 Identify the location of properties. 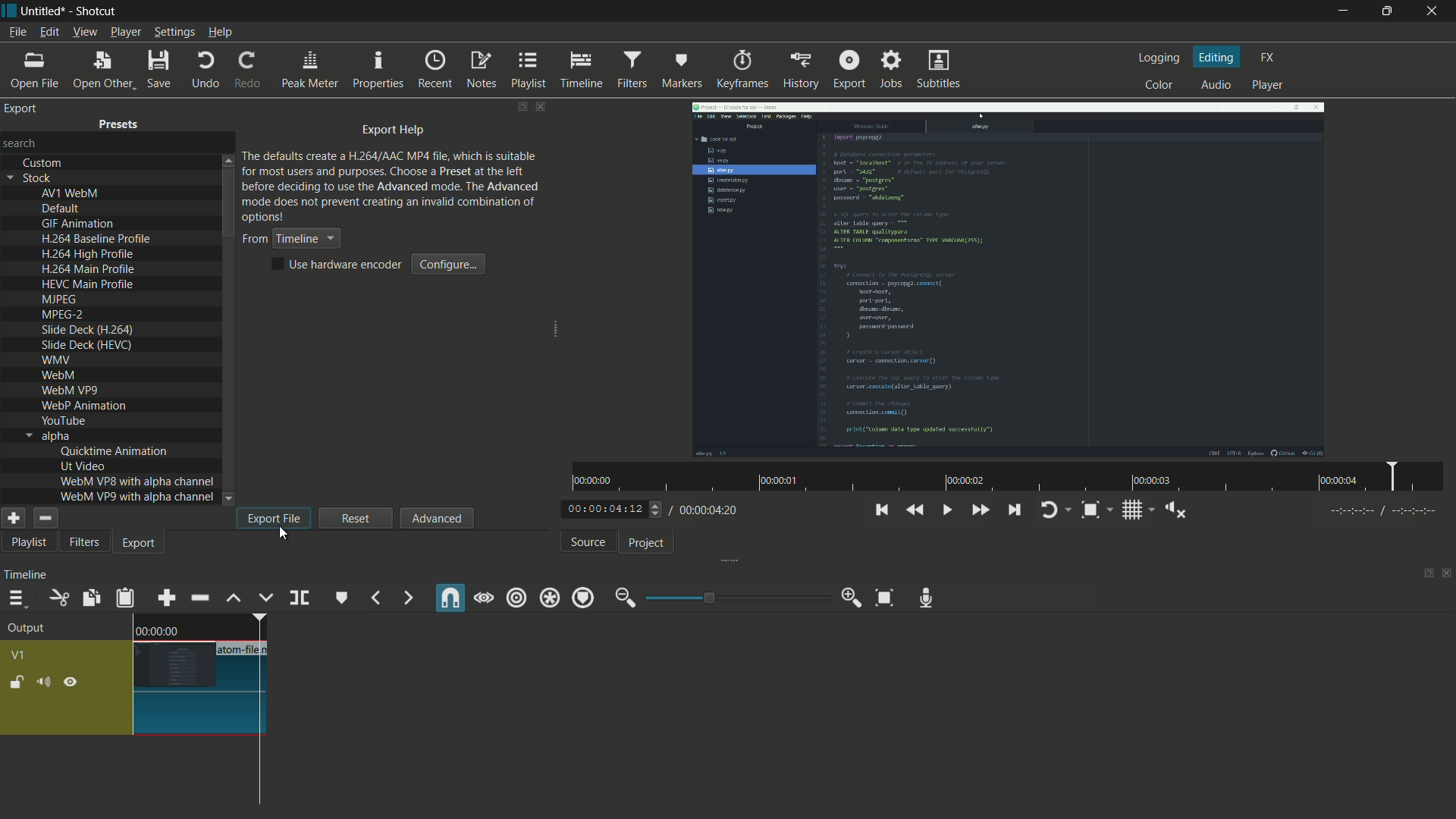
(379, 71).